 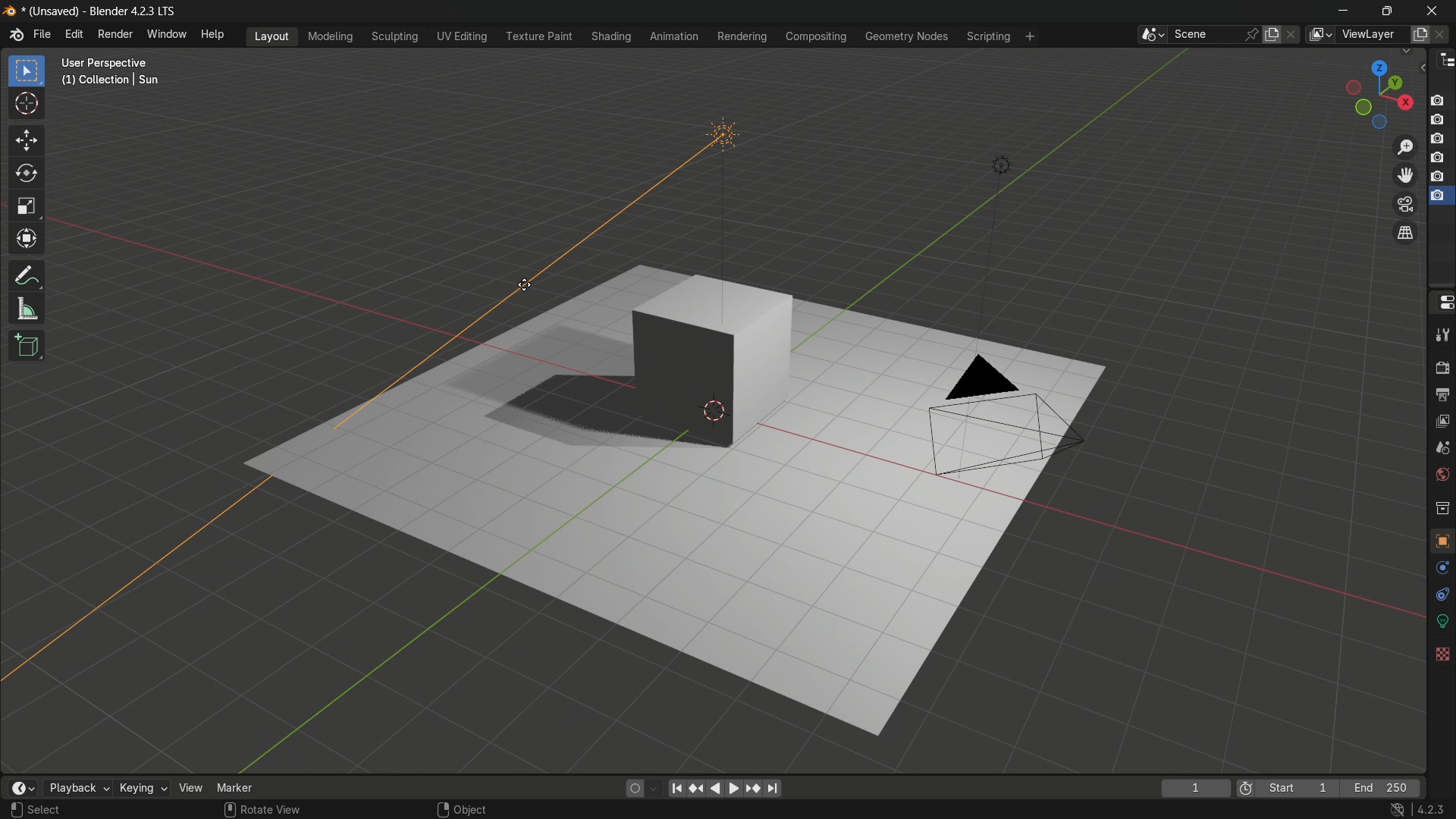 What do you see at coordinates (723, 192) in the screenshot?
I see `sunlight` at bounding box center [723, 192].